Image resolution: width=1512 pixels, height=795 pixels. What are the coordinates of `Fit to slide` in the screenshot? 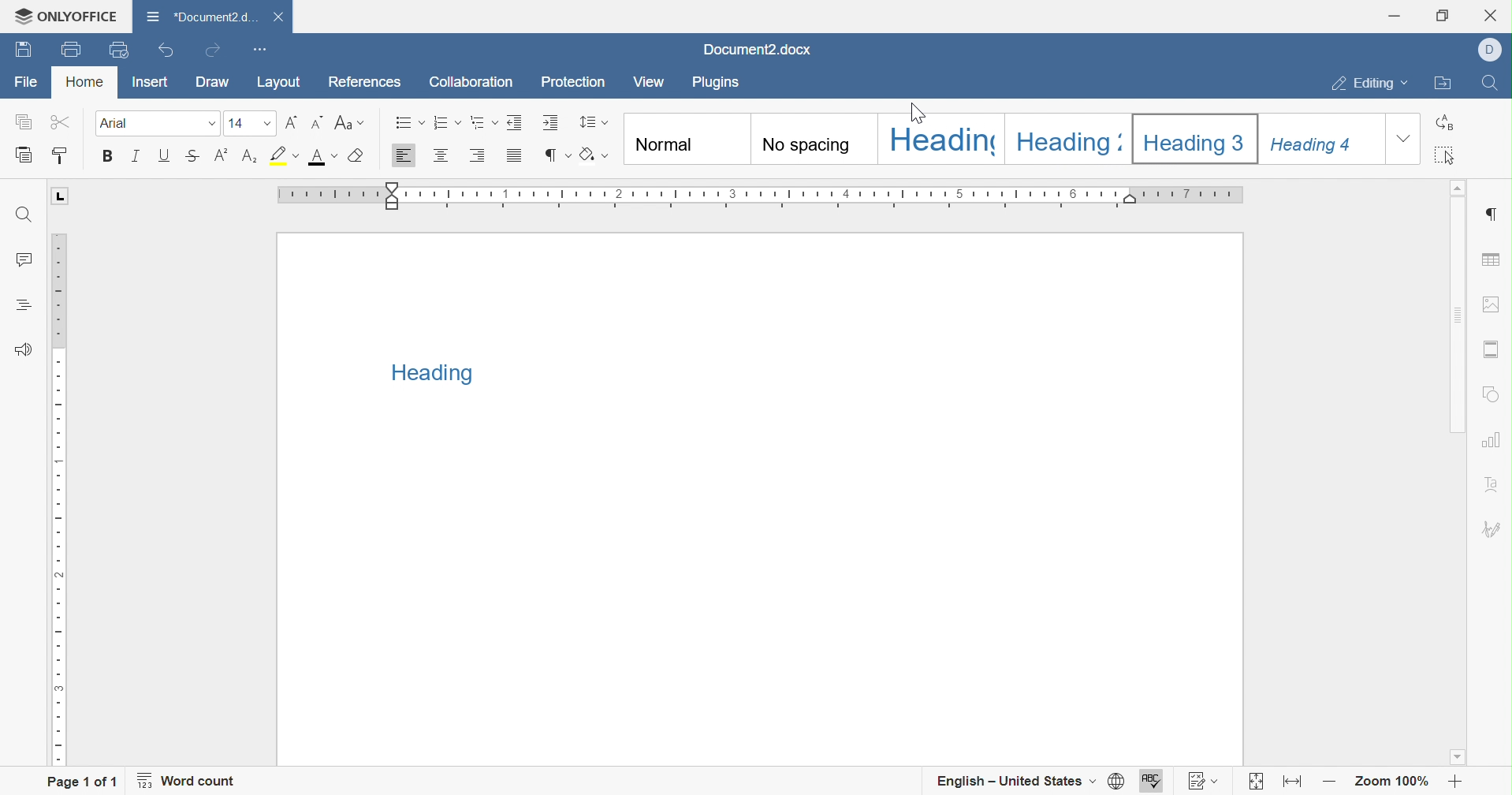 It's located at (1257, 782).